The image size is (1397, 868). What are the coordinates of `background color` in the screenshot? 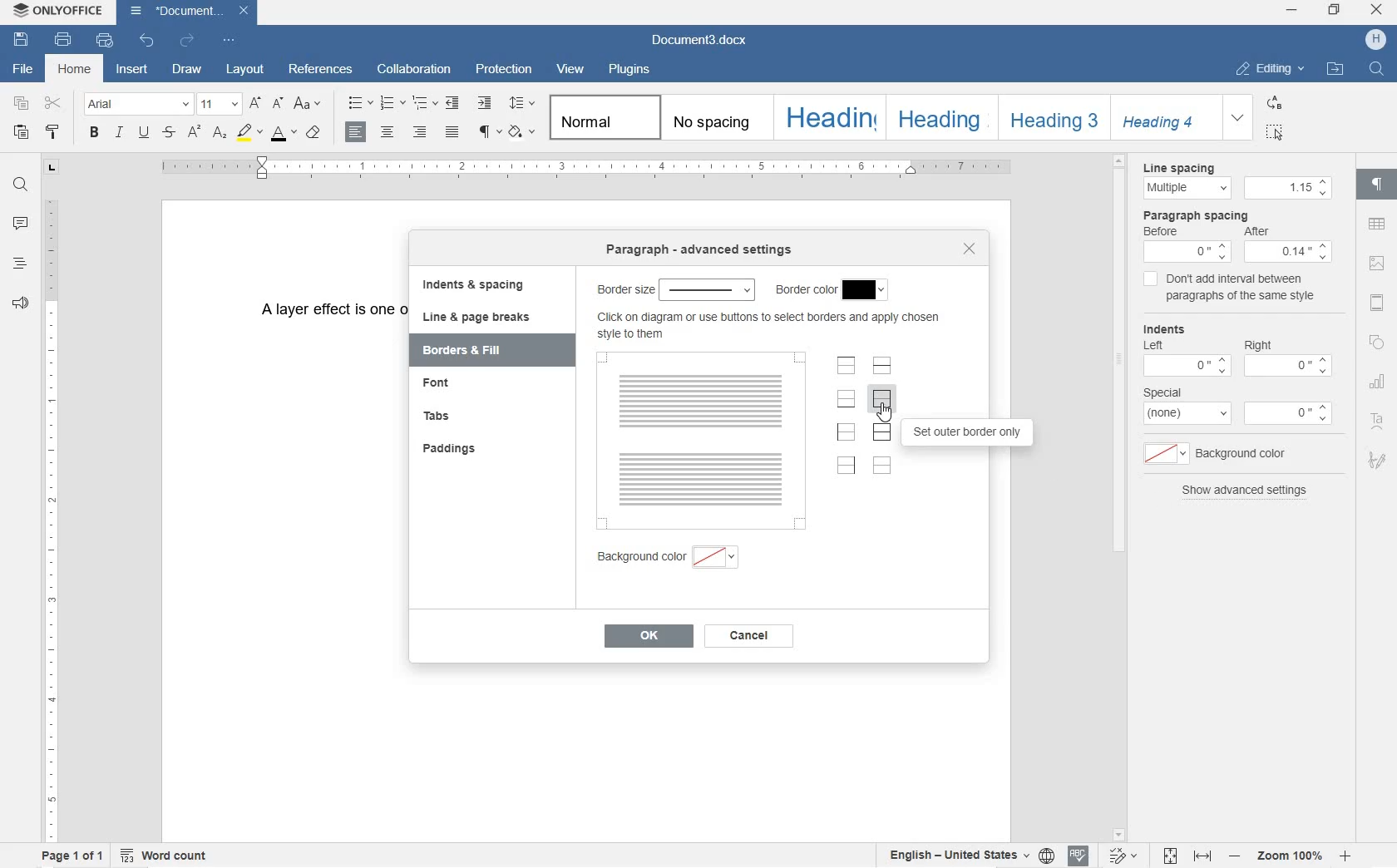 It's located at (1224, 453).